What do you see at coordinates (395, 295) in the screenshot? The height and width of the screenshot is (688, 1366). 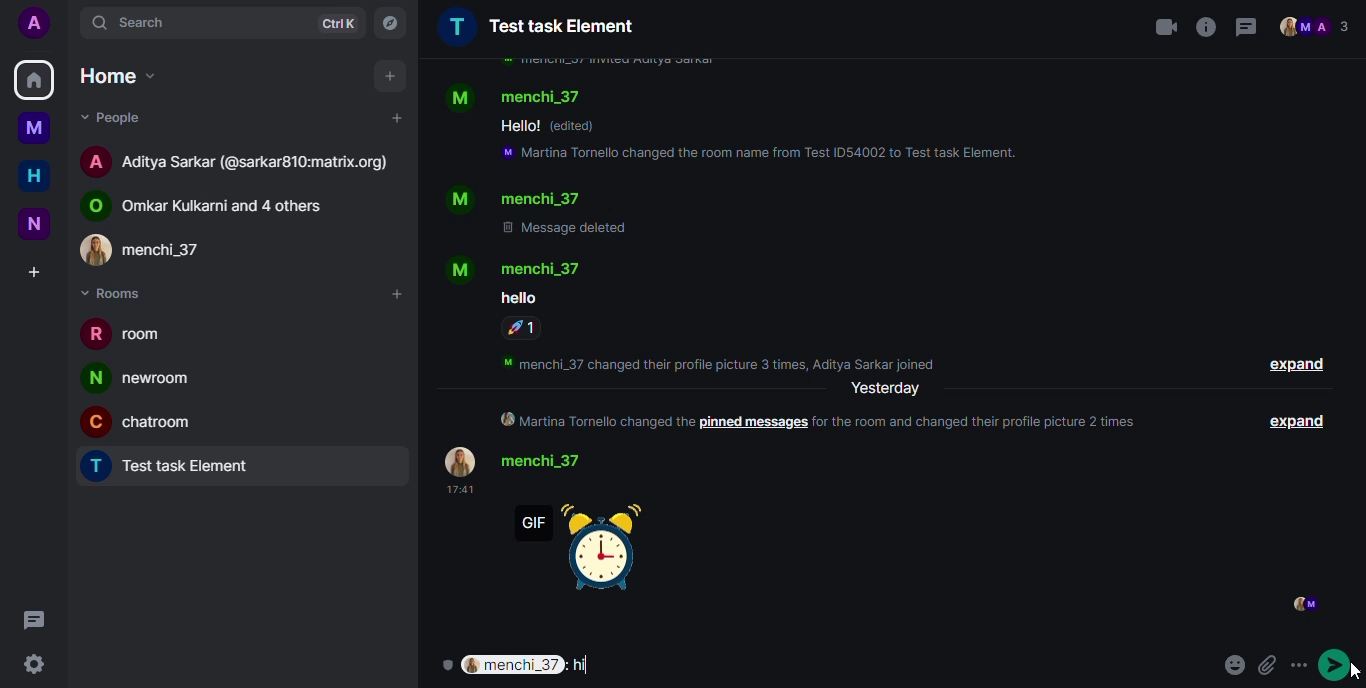 I see `add` at bounding box center [395, 295].